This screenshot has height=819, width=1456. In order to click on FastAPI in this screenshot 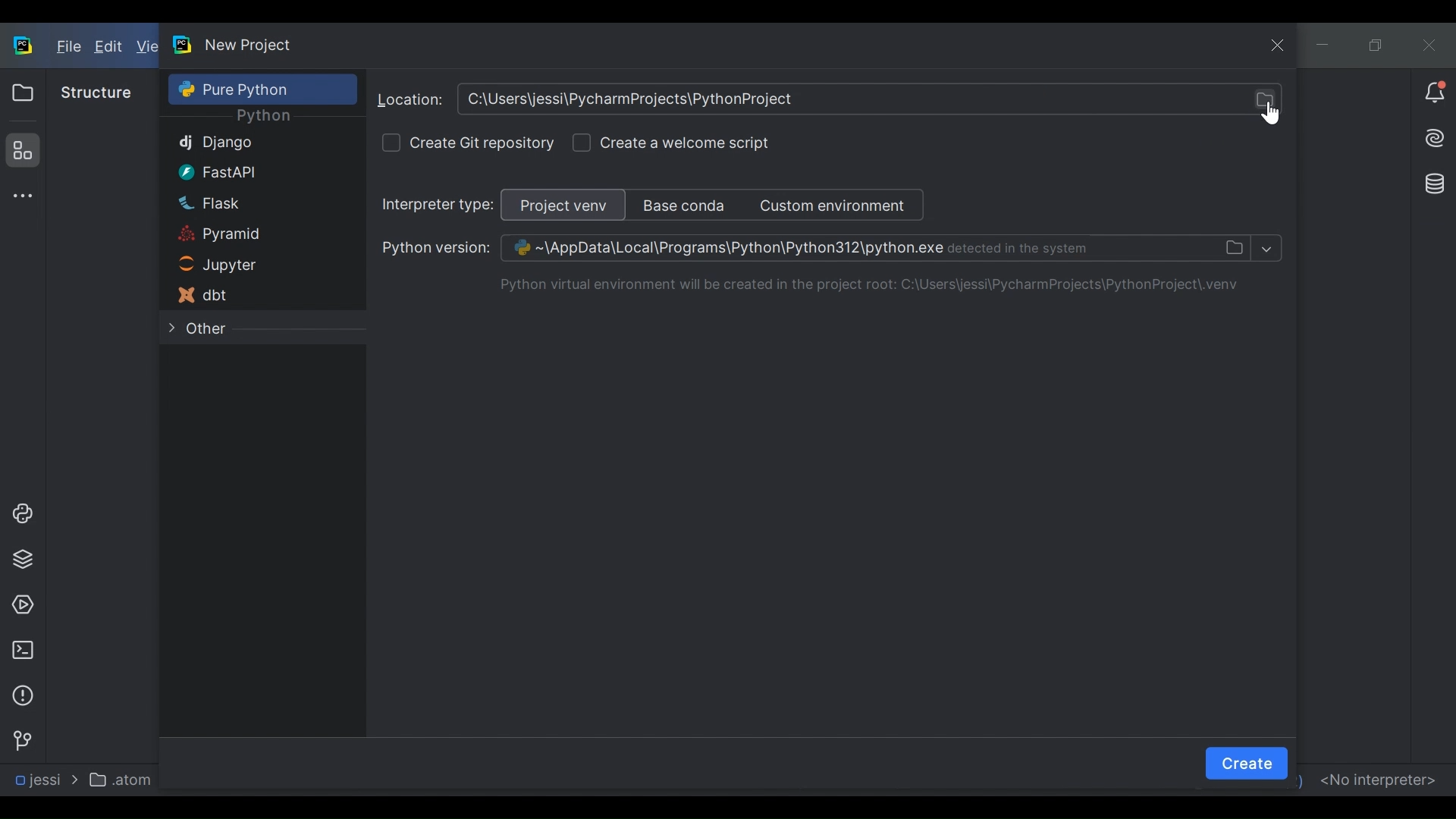, I will do `click(246, 171)`.